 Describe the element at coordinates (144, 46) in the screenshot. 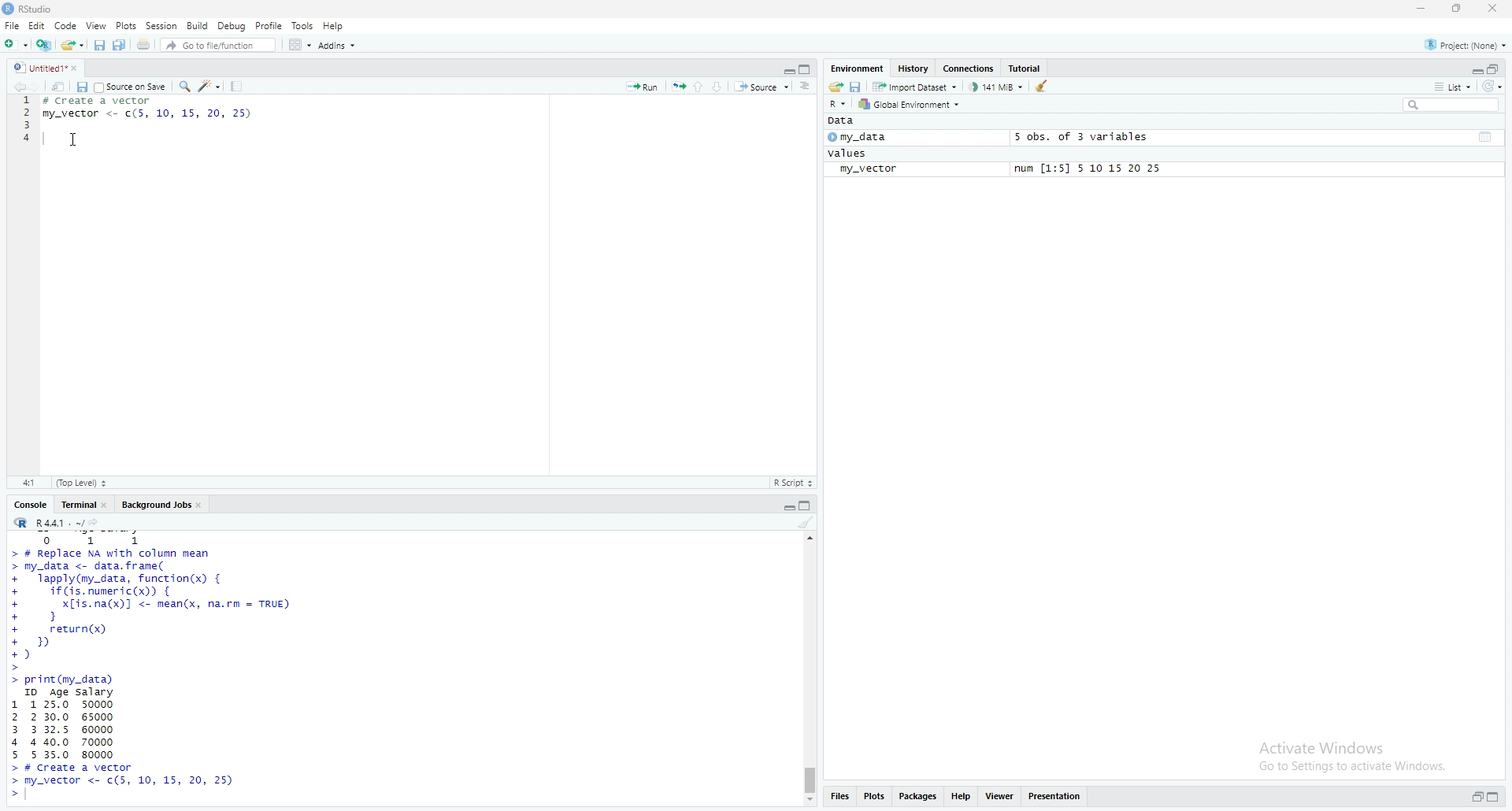

I see `print current file` at that location.